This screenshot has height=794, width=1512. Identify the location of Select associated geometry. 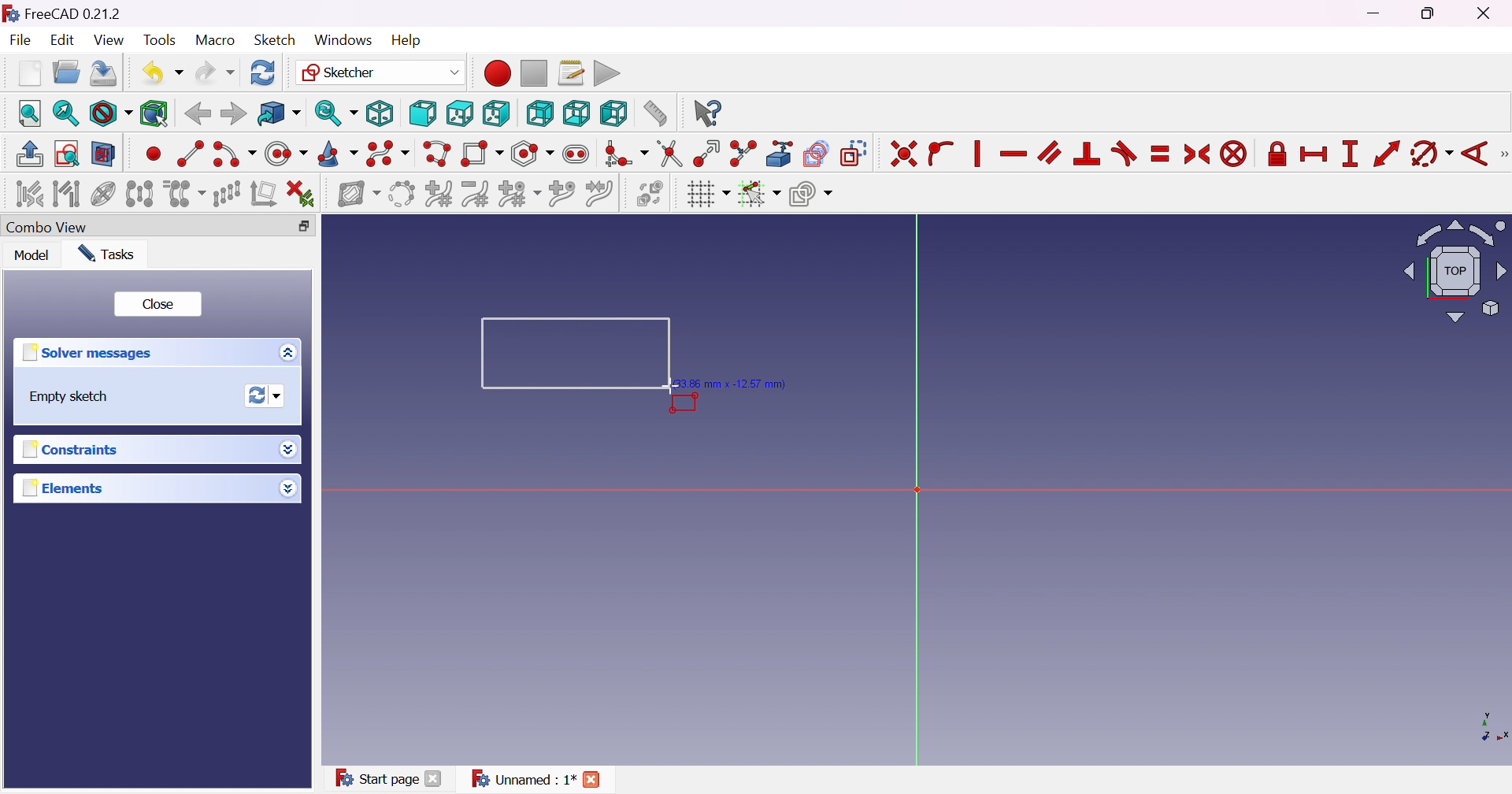
(67, 193).